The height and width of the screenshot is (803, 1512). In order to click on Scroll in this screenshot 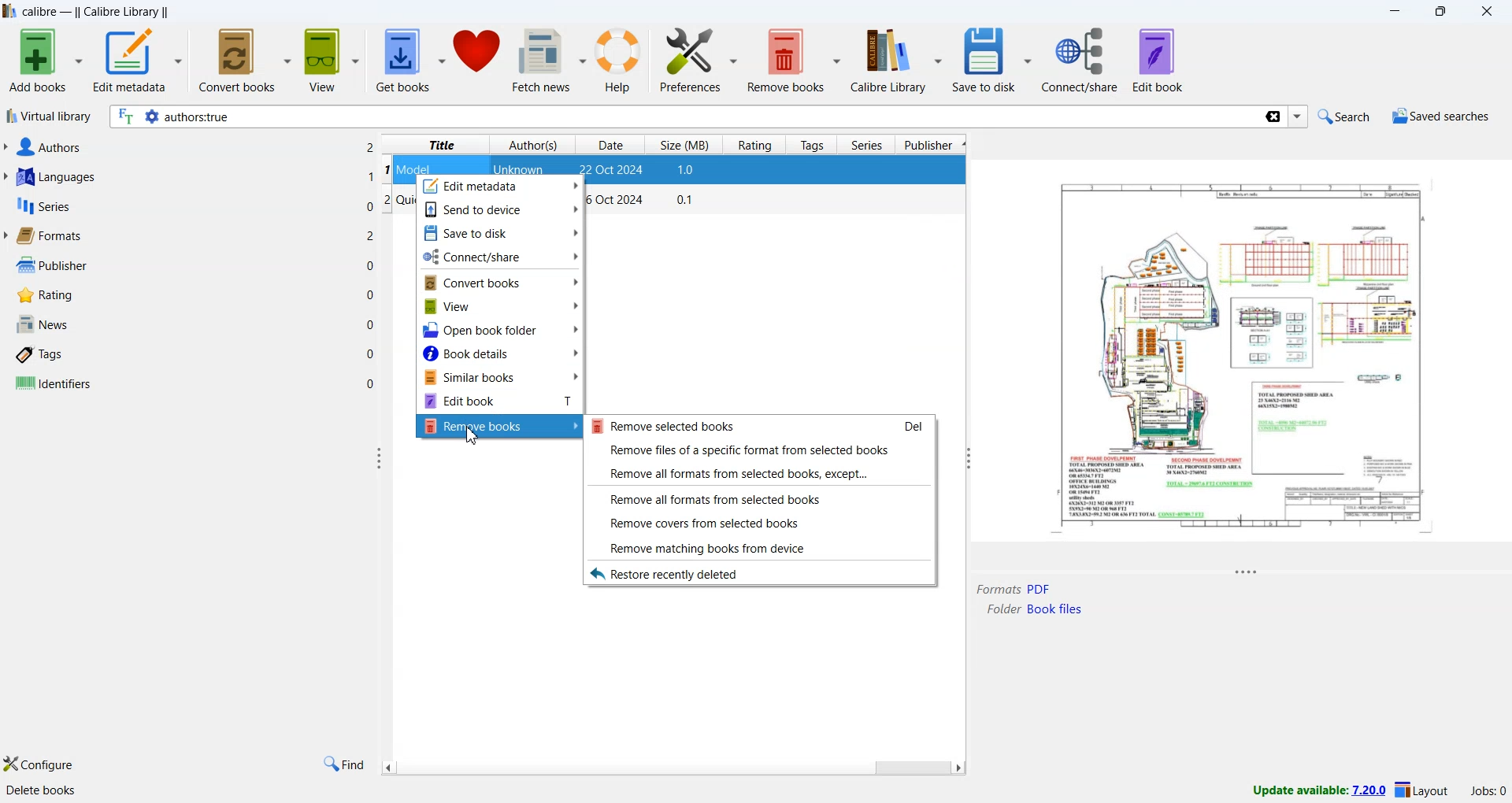, I will do `click(672, 768)`.